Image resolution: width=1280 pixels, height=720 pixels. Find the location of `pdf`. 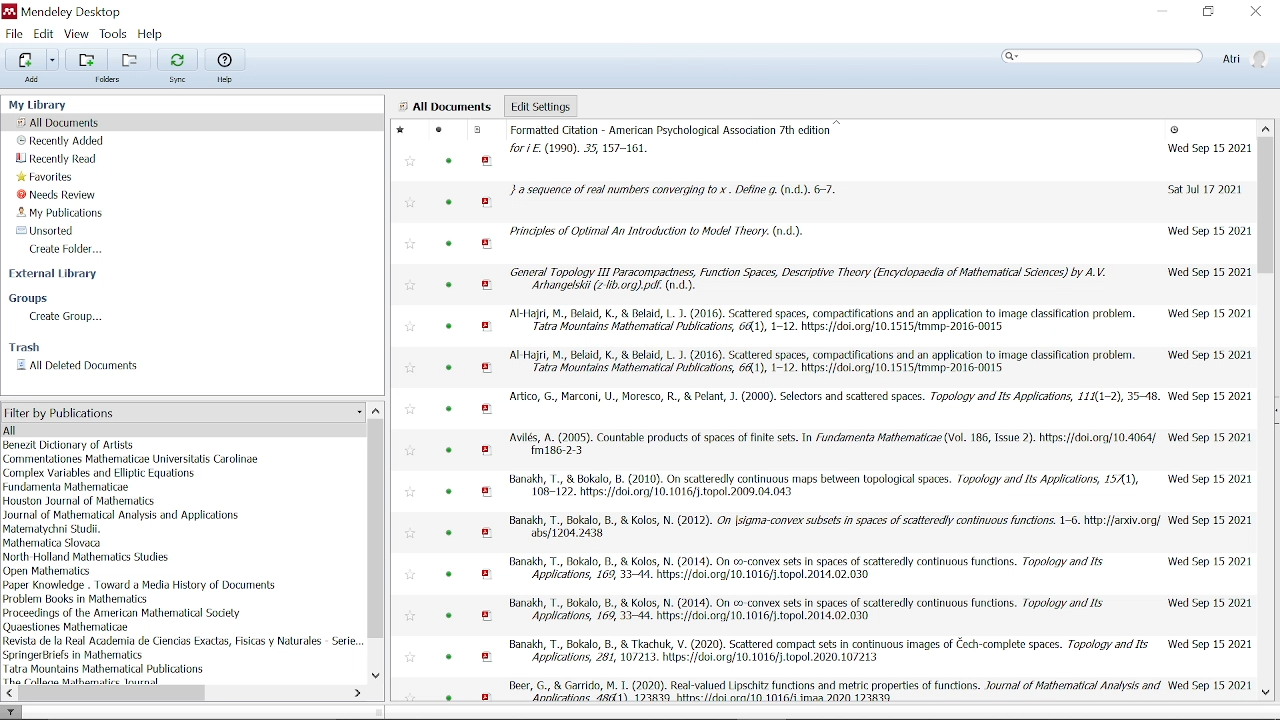

pdf is located at coordinates (489, 245).